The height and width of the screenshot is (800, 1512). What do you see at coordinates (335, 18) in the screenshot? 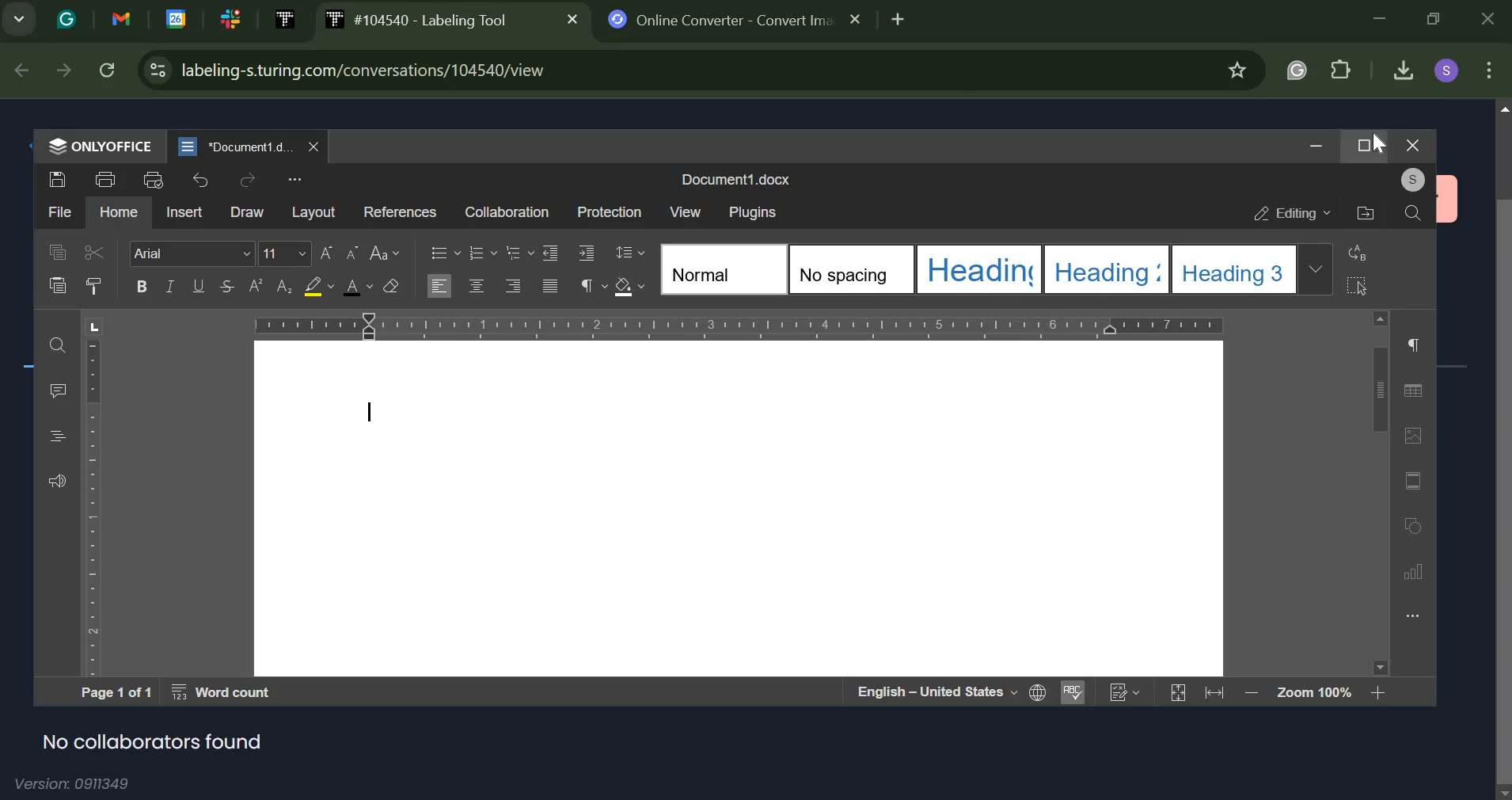
I see `logo` at bounding box center [335, 18].